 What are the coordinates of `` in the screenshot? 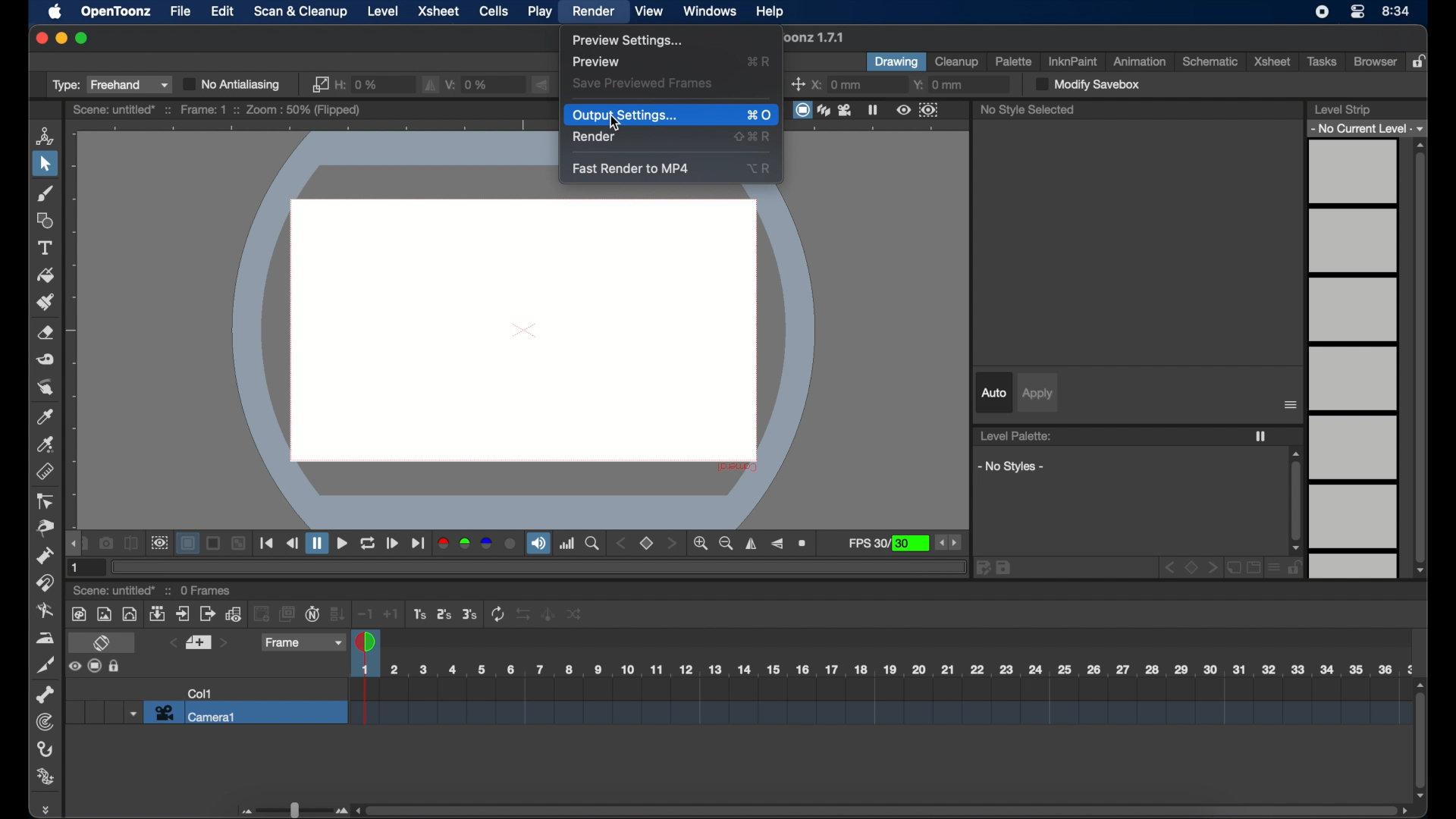 It's located at (158, 614).